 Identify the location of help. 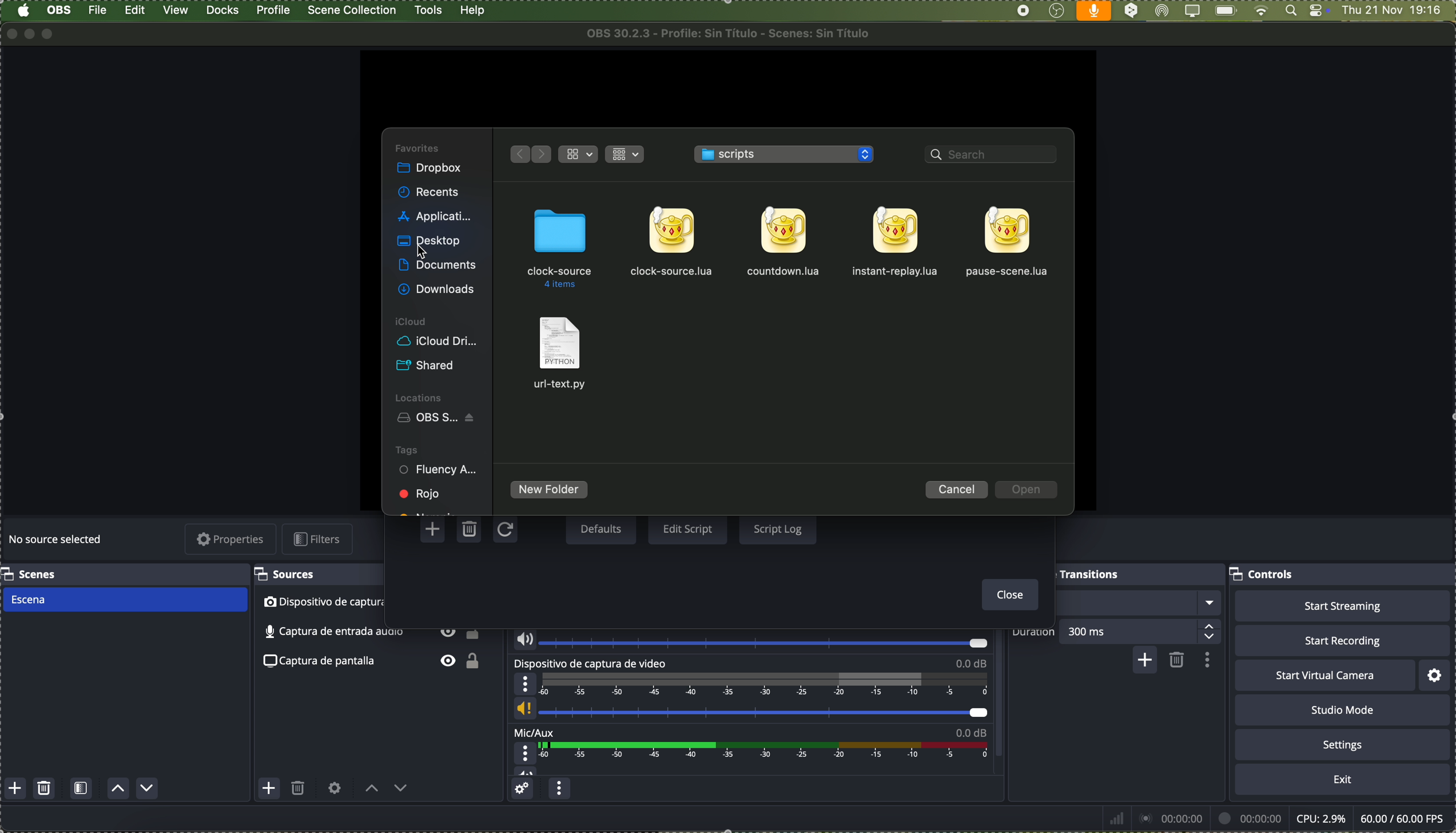
(473, 11).